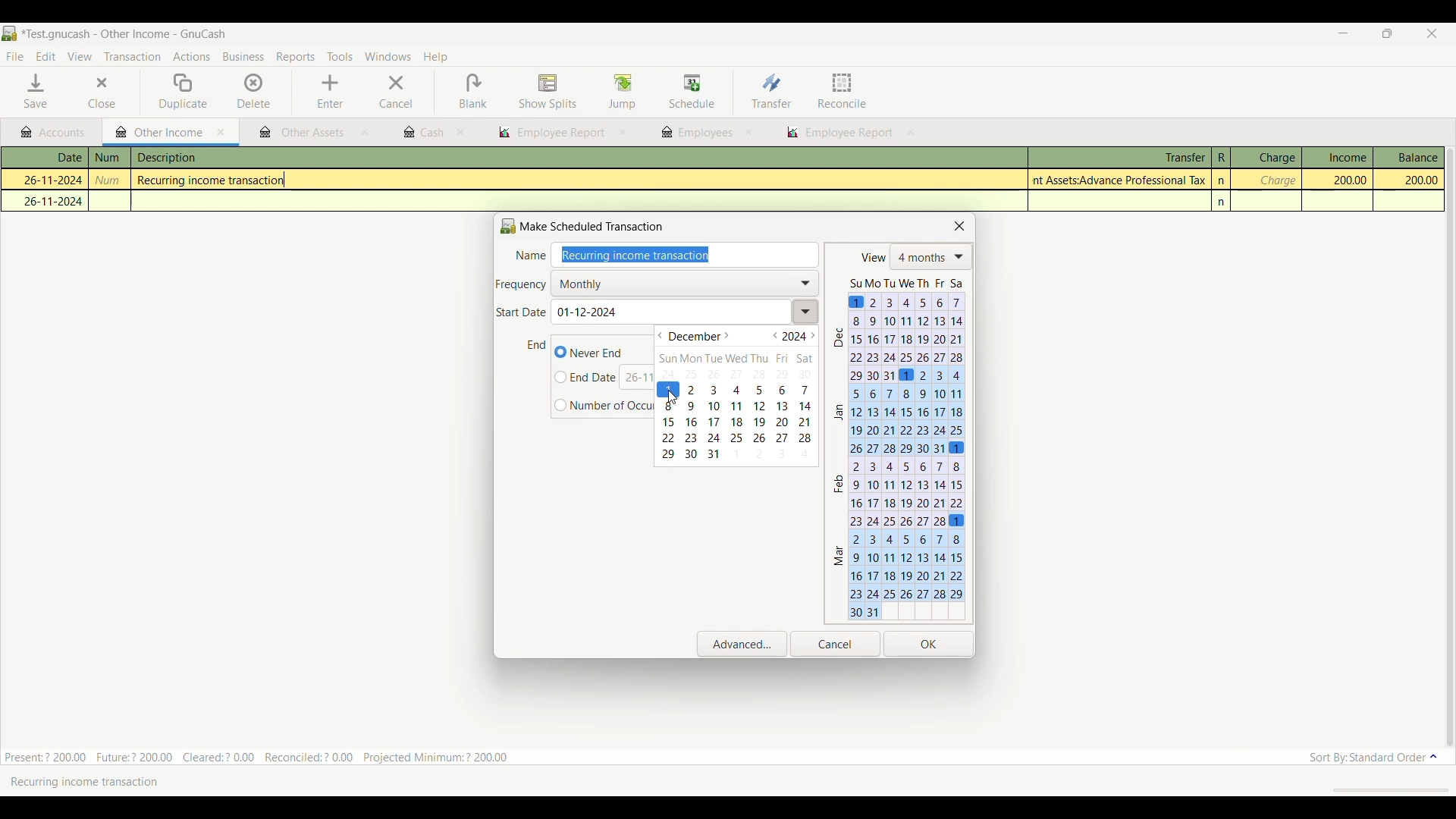 This screenshot has width=1456, height=819. Describe the element at coordinates (245, 158) in the screenshot. I see `description` at that location.